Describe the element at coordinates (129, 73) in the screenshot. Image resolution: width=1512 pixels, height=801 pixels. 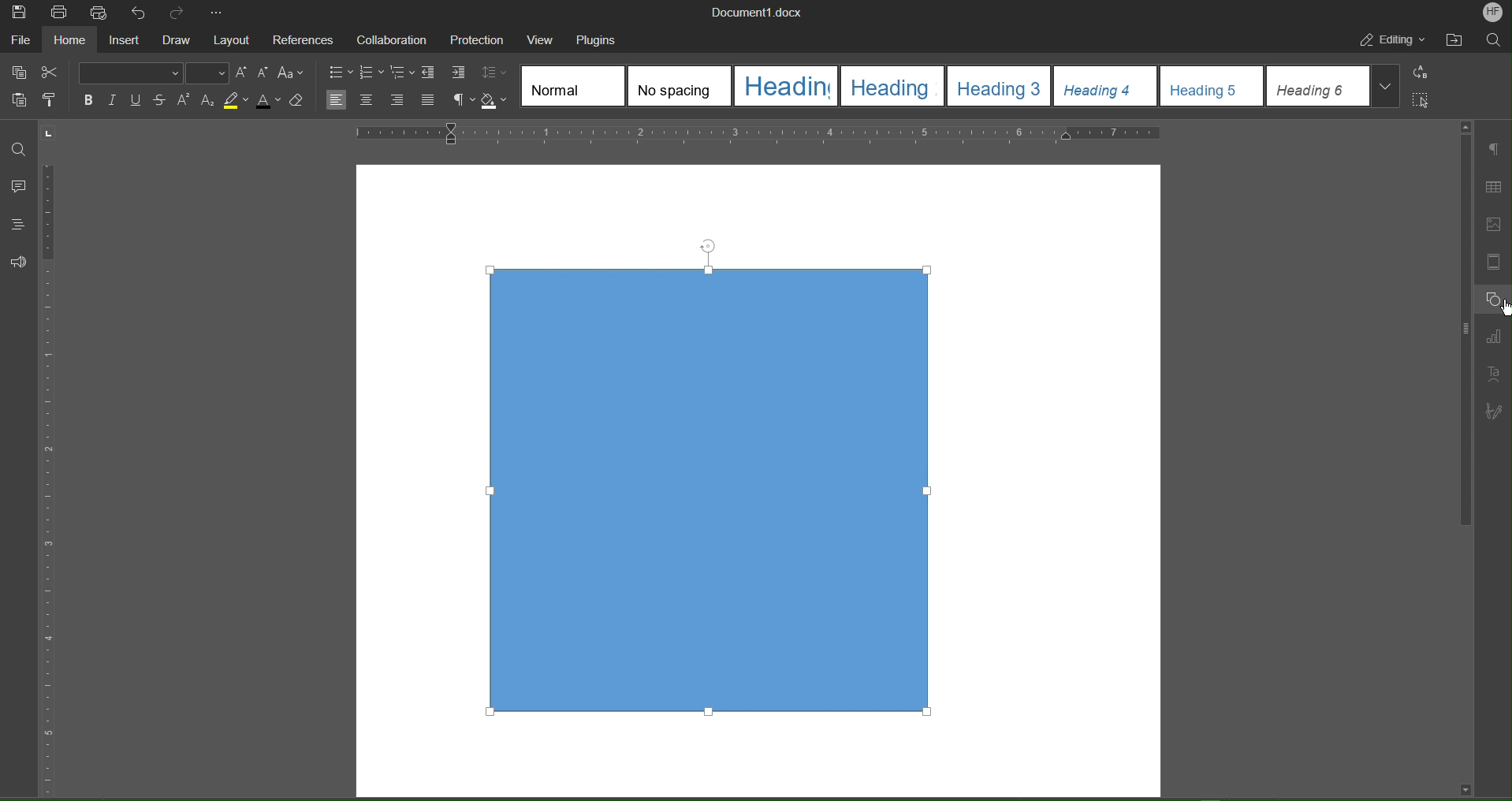
I see `Font` at that location.